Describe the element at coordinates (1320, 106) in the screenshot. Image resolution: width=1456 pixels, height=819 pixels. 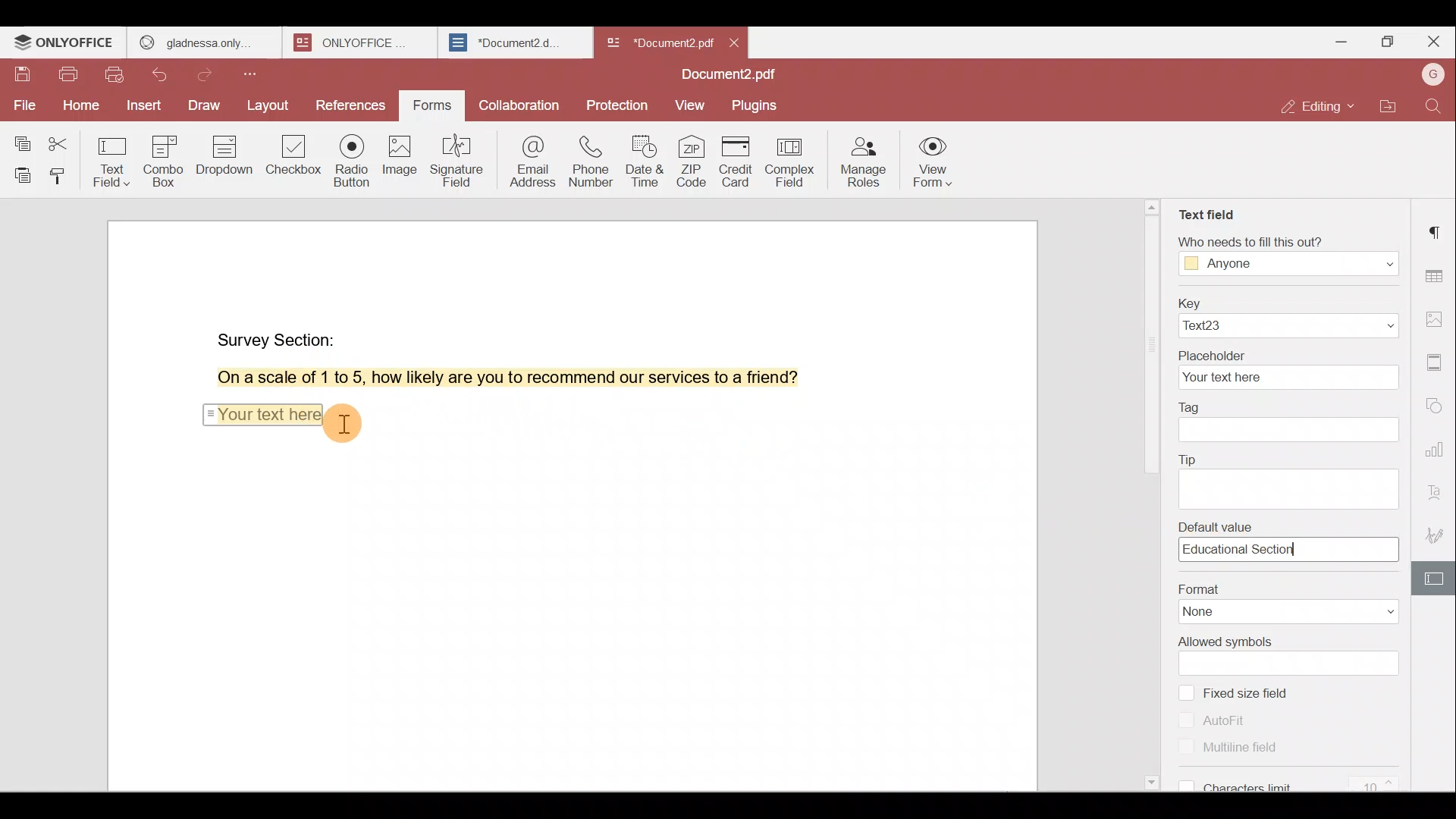
I see `Editing mode` at that location.